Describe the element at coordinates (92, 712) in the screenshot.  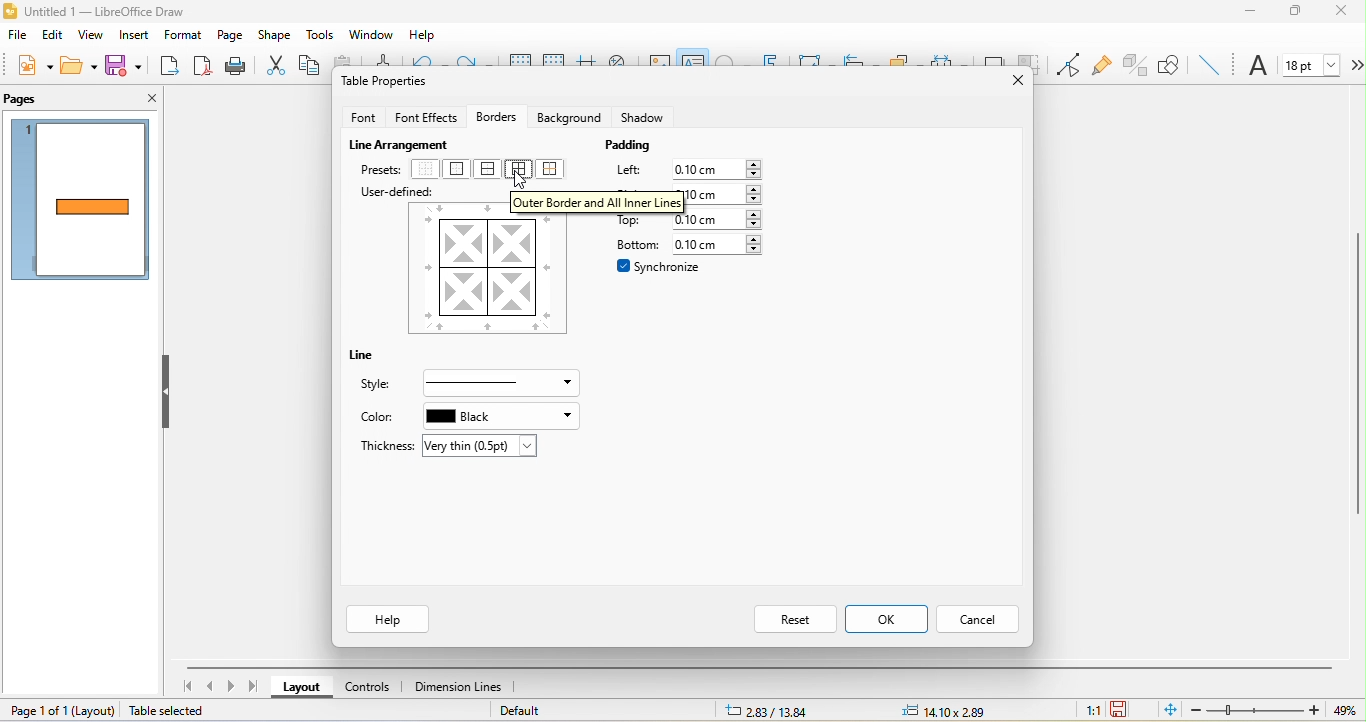
I see `layout` at that location.